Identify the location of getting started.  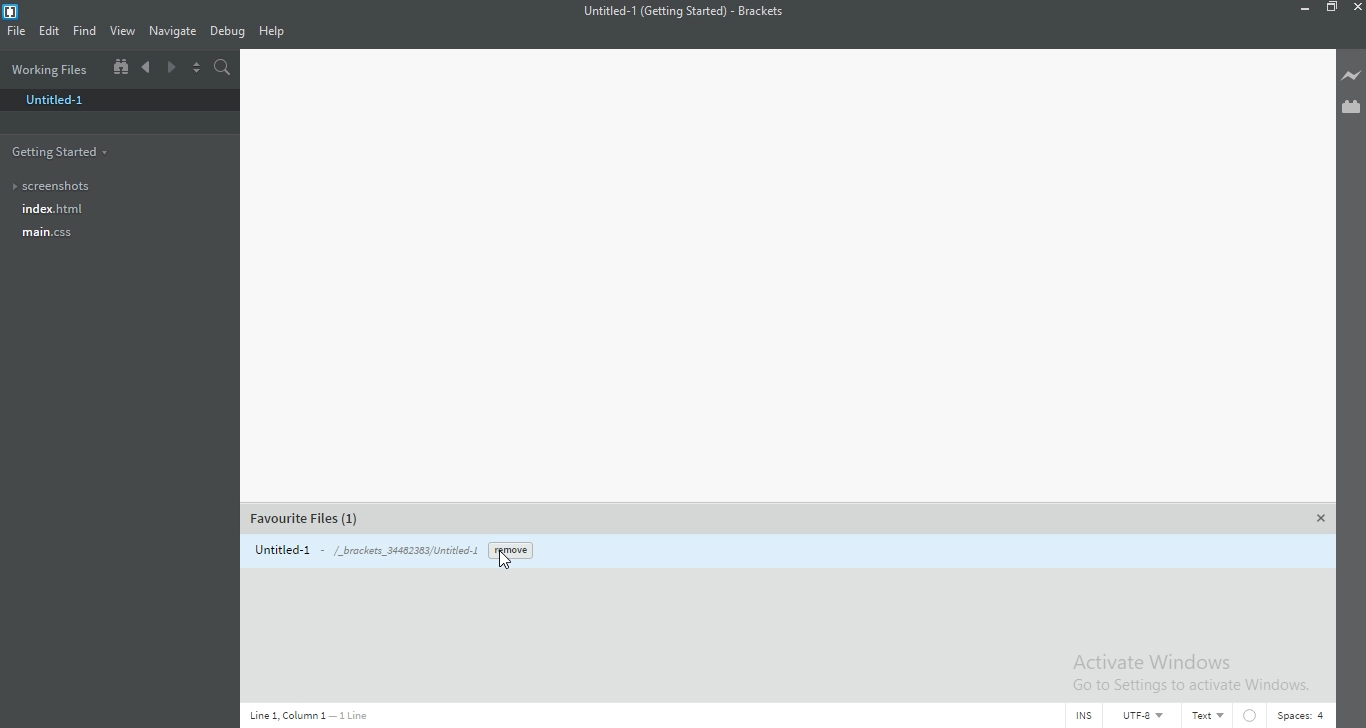
(116, 148).